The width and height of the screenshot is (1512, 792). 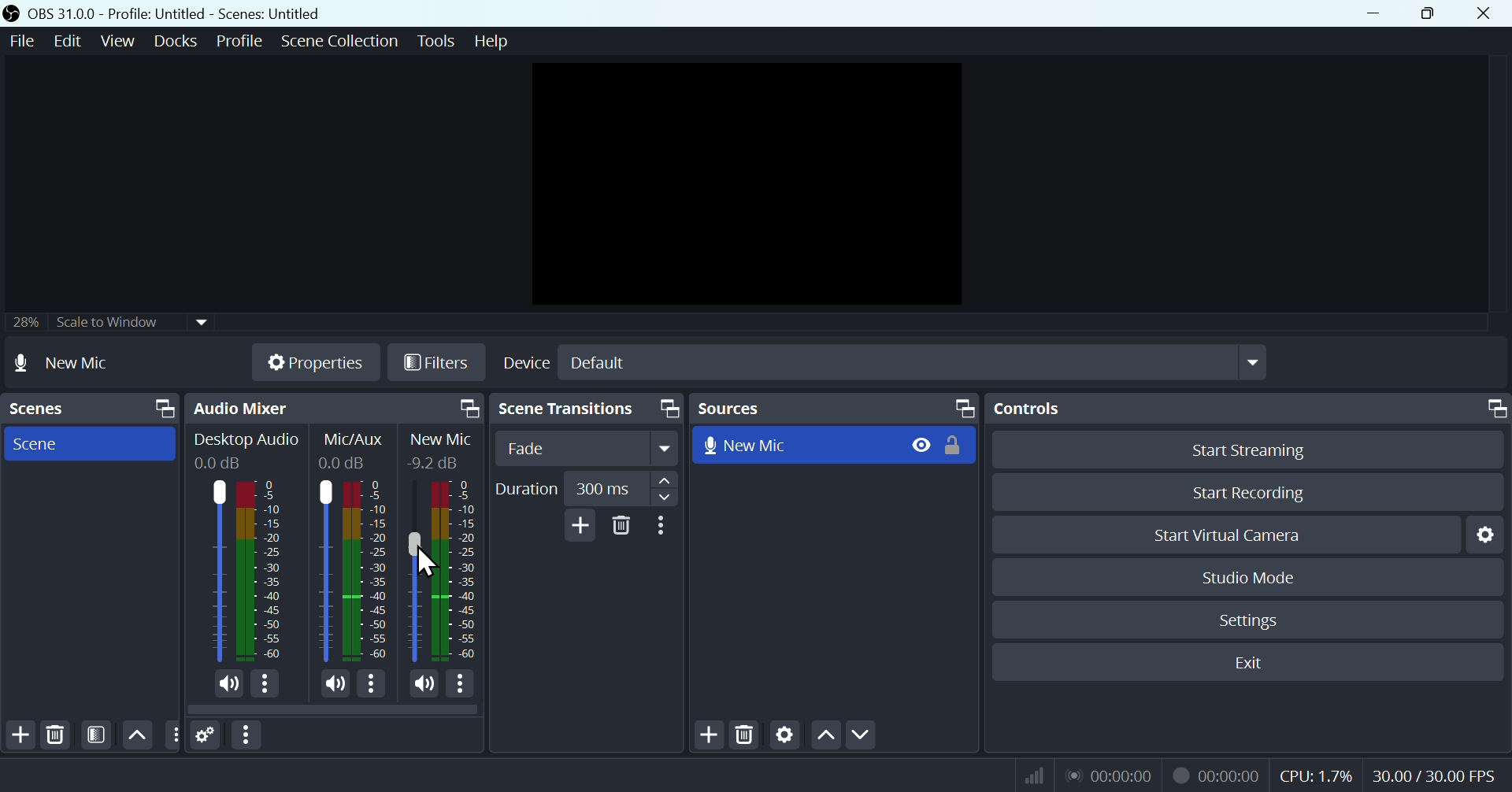 I want to click on 0.0dB, so click(x=220, y=464).